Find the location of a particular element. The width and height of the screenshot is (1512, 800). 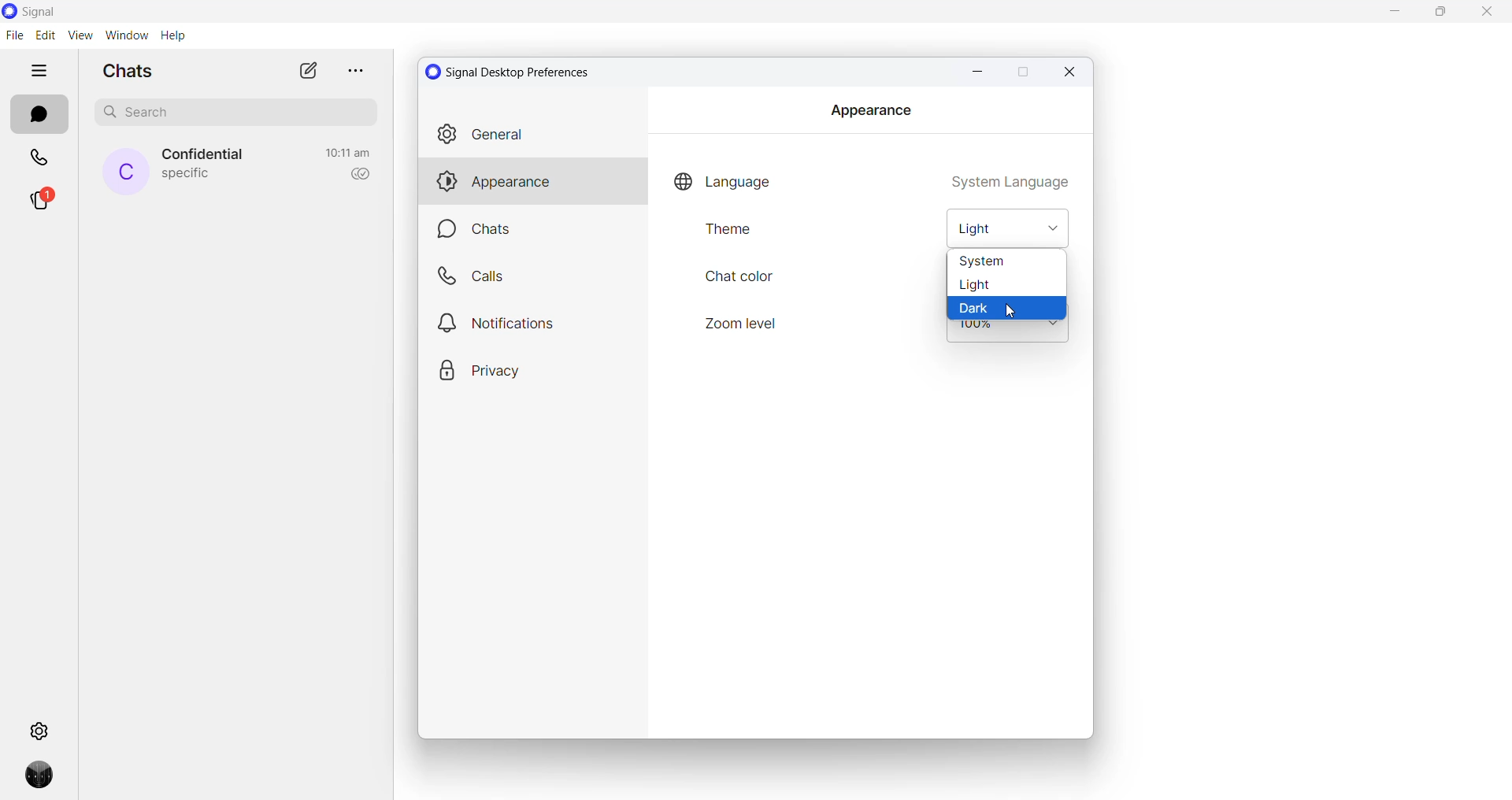

general is located at coordinates (531, 135).